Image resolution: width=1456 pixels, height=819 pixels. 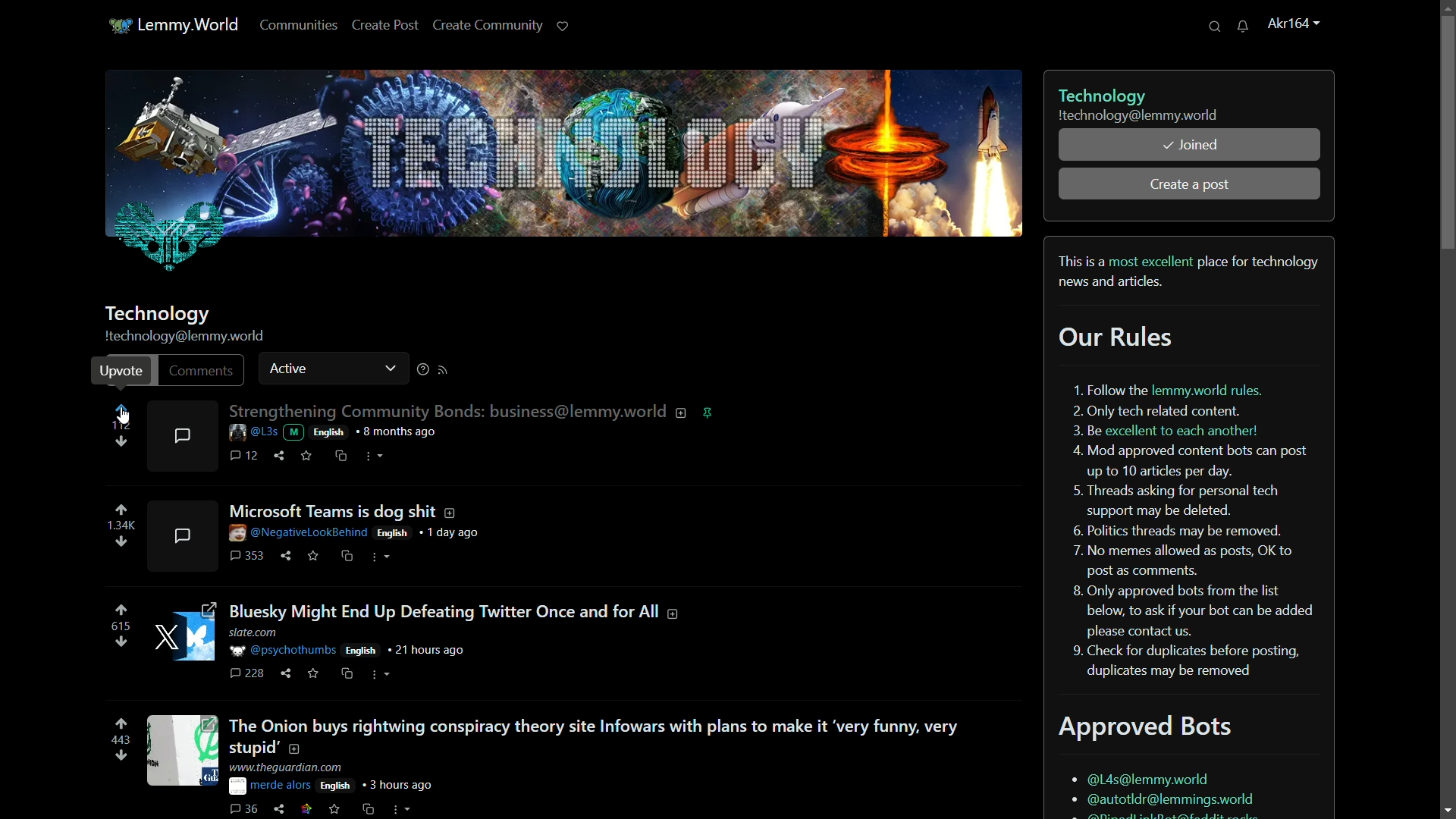 What do you see at coordinates (331, 367) in the screenshot?
I see `active` at bounding box center [331, 367].